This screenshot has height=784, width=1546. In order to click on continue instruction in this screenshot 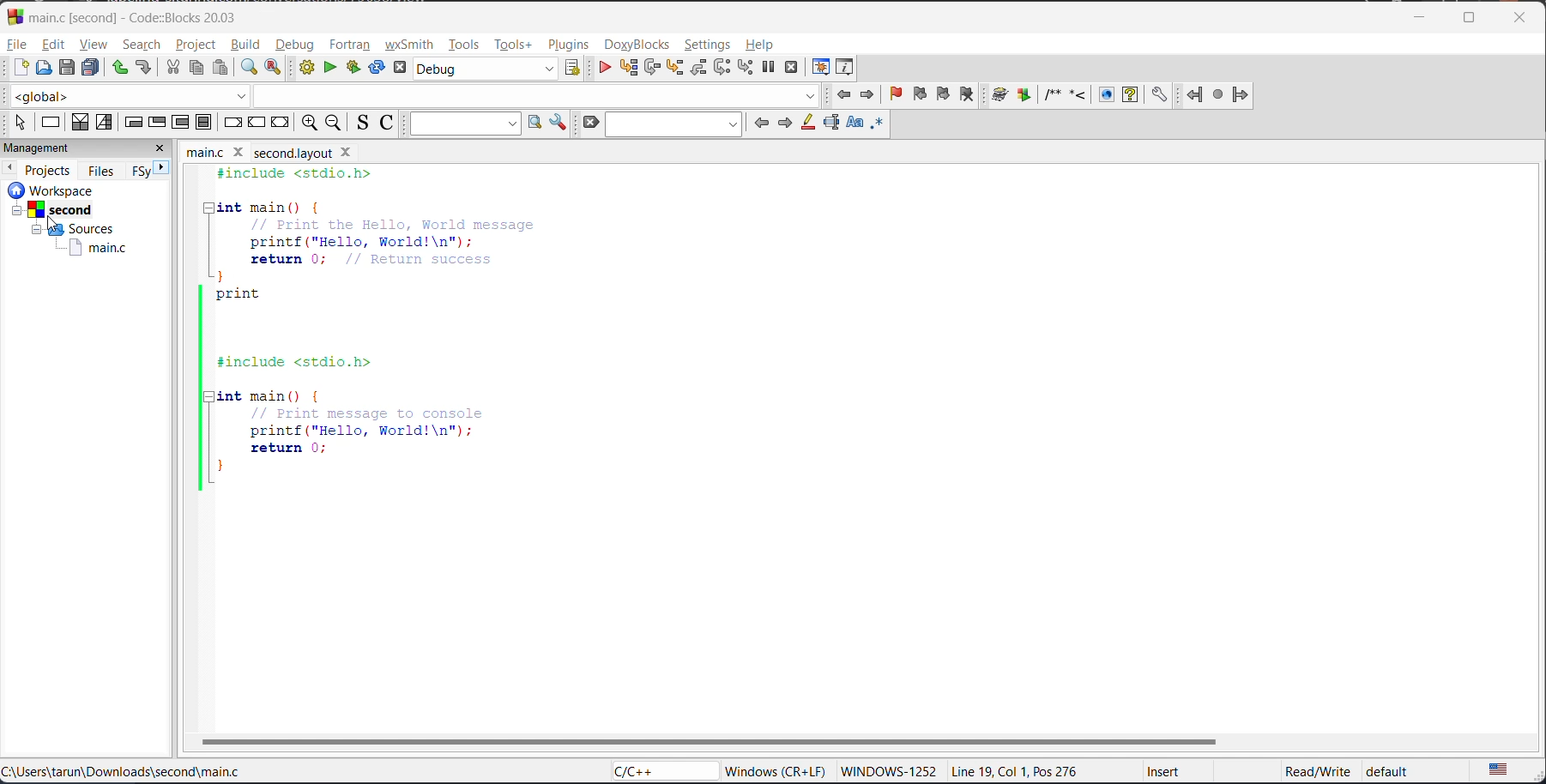, I will do `click(257, 122)`.